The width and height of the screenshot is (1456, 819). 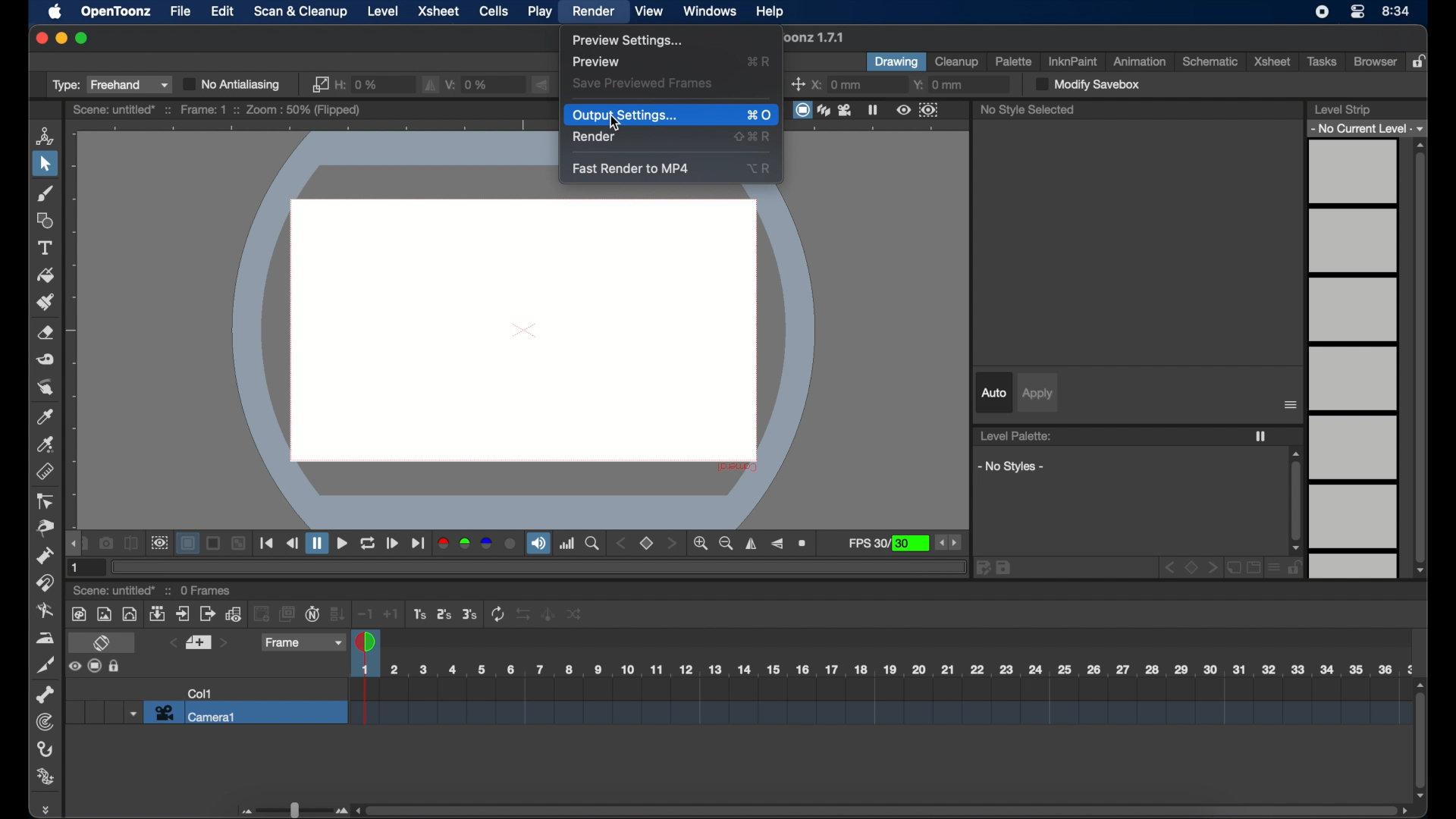 I want to click on opentoonz, so click(x=118, y=12).